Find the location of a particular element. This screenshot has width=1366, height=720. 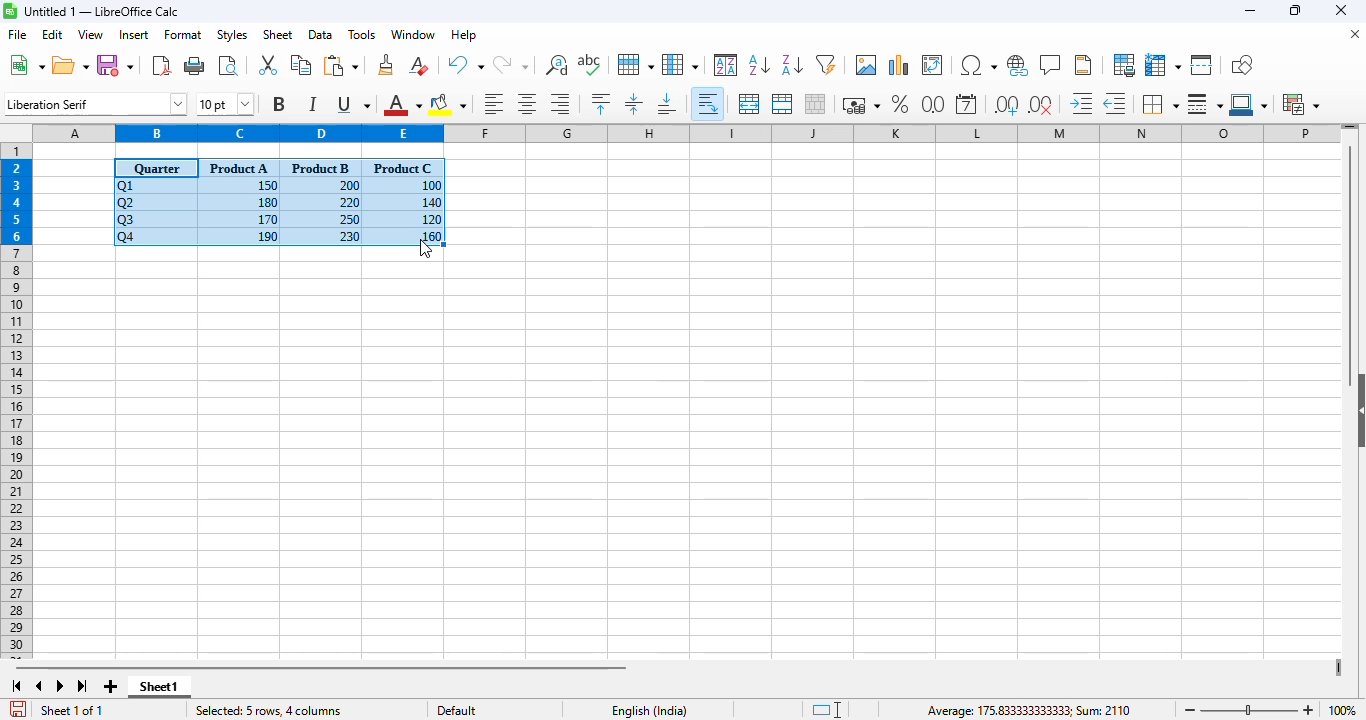

file is located at coordinates (16, 34).